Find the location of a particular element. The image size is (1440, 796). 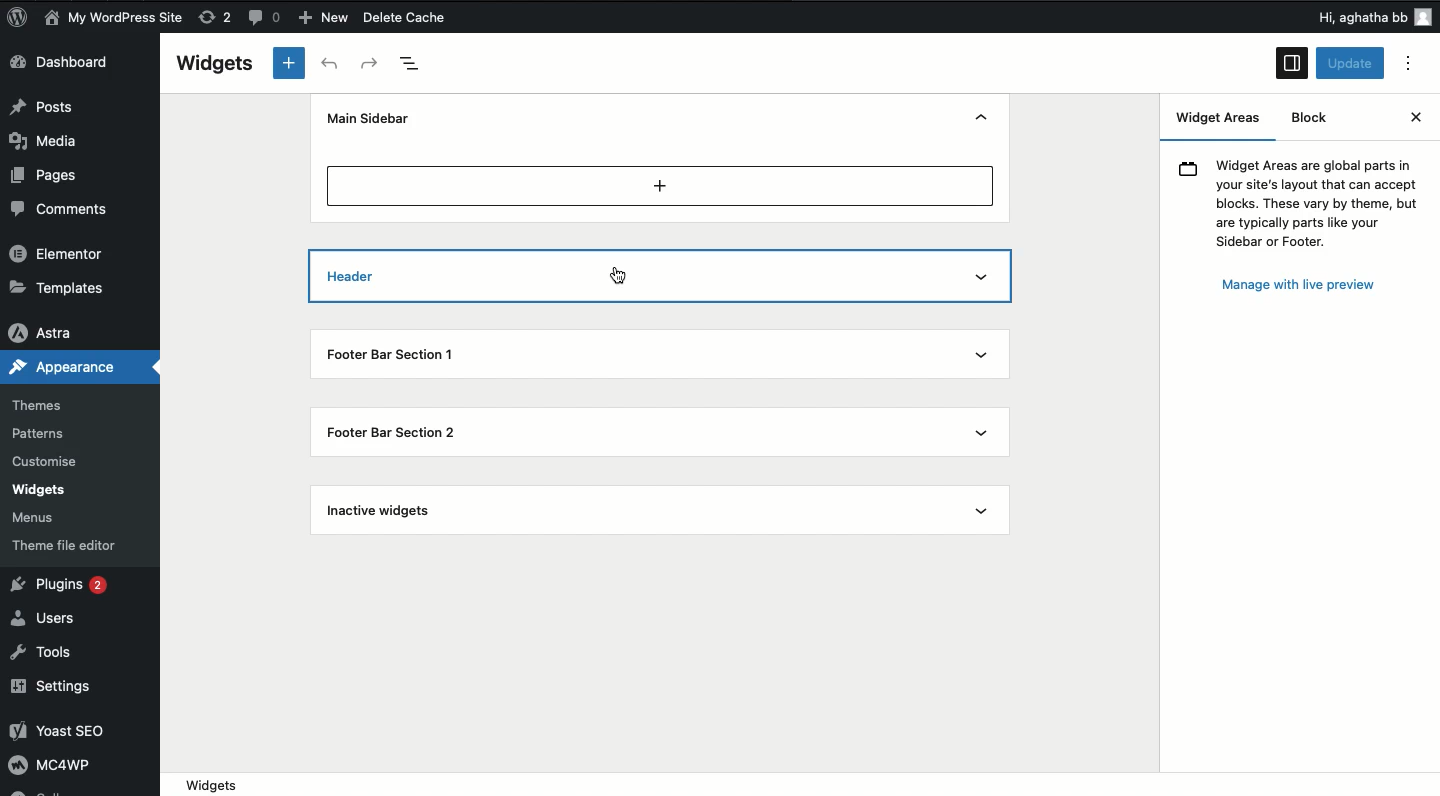

widgets is located at coordinates (800, 785).